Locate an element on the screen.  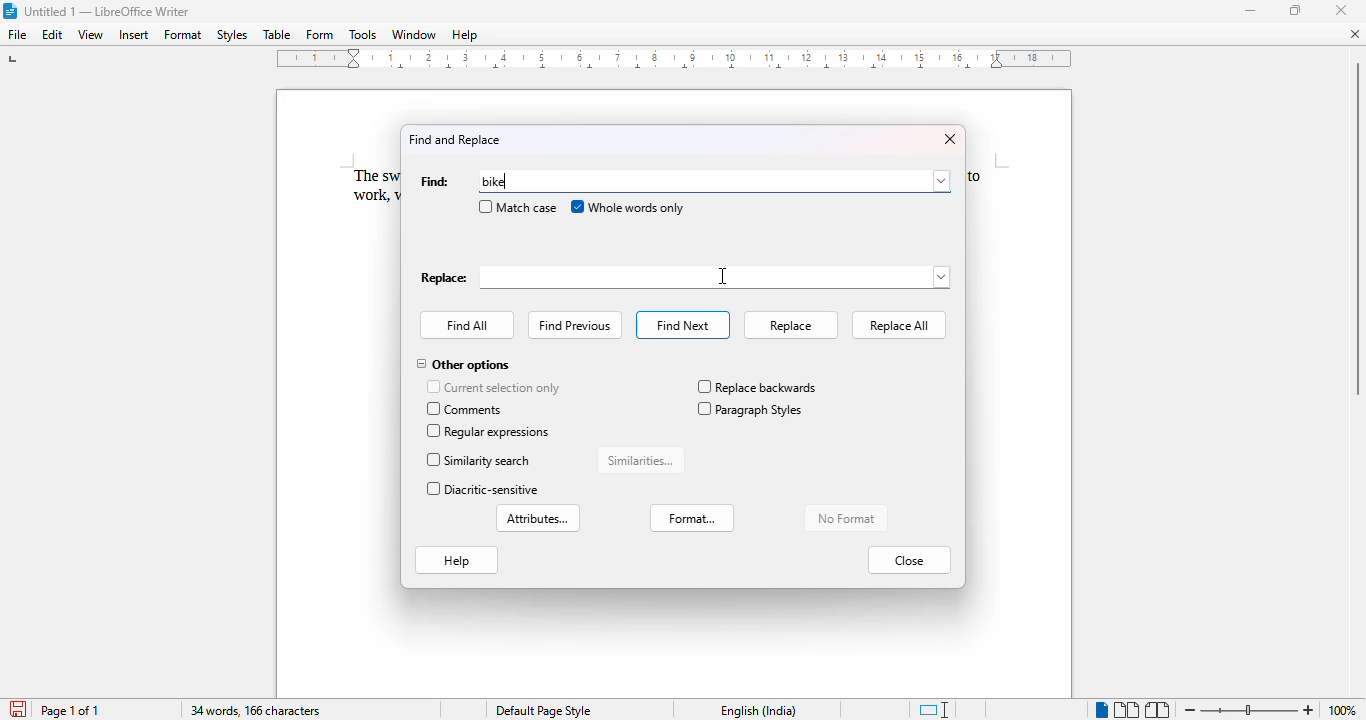
match case is located at coordinates (517, 207).